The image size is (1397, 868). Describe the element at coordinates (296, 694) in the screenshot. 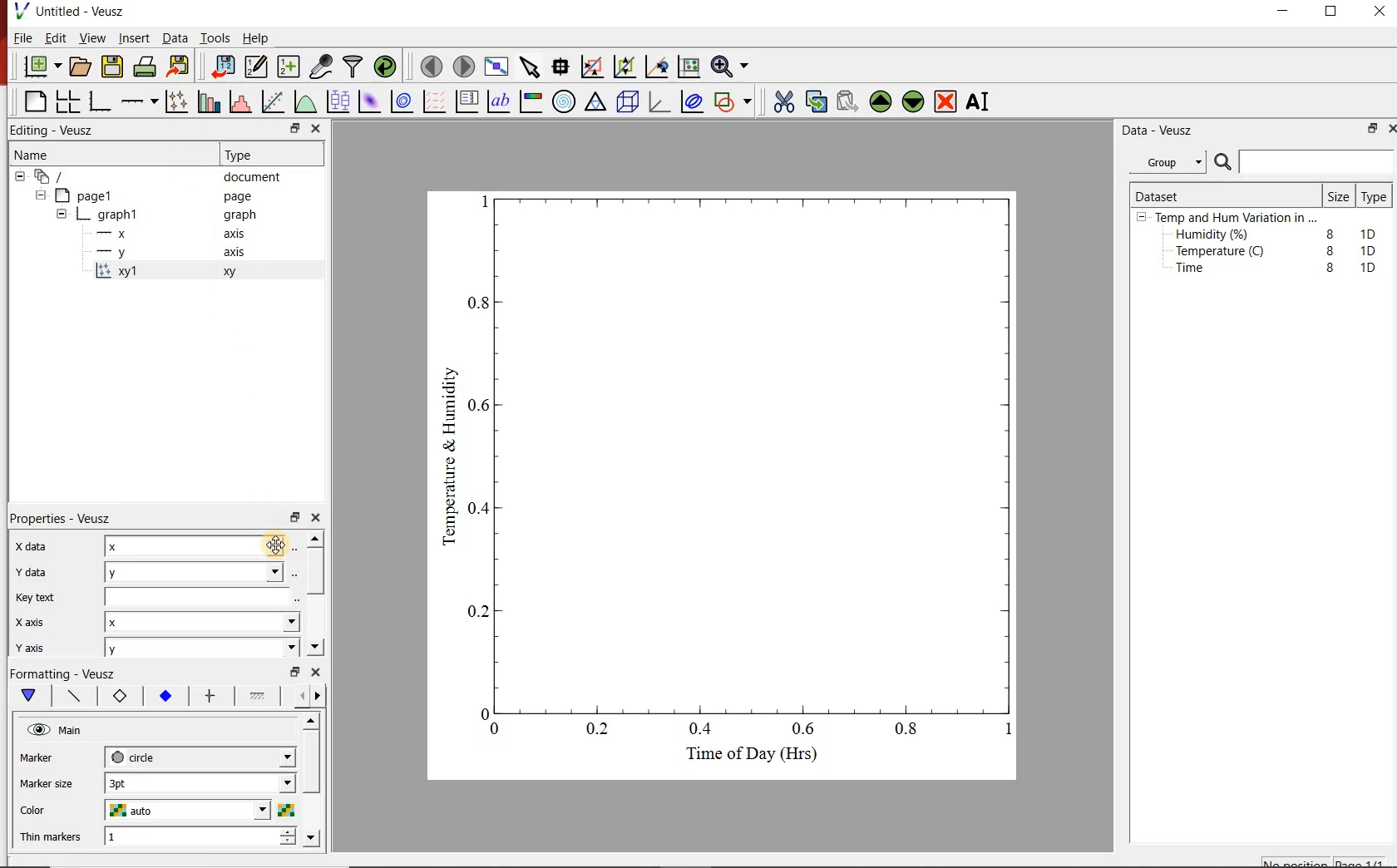

I see `go back` at that location.